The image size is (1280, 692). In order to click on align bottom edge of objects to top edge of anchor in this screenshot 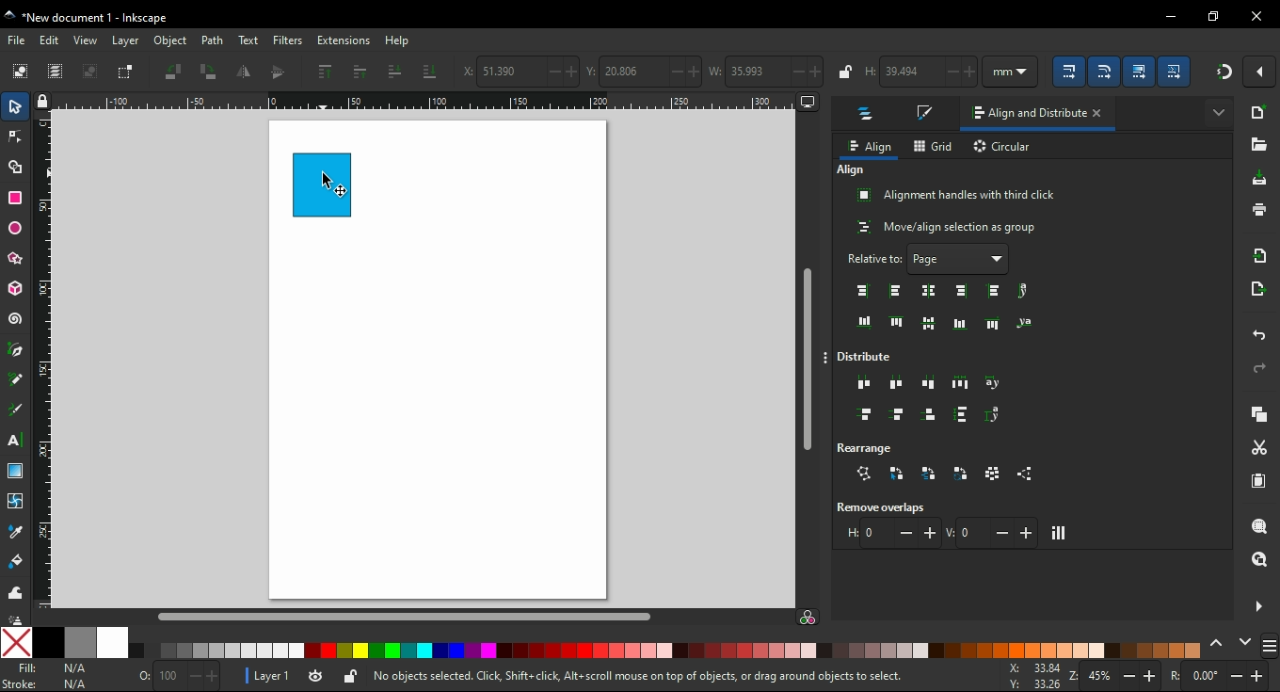, I will do `click(865, 322)`.